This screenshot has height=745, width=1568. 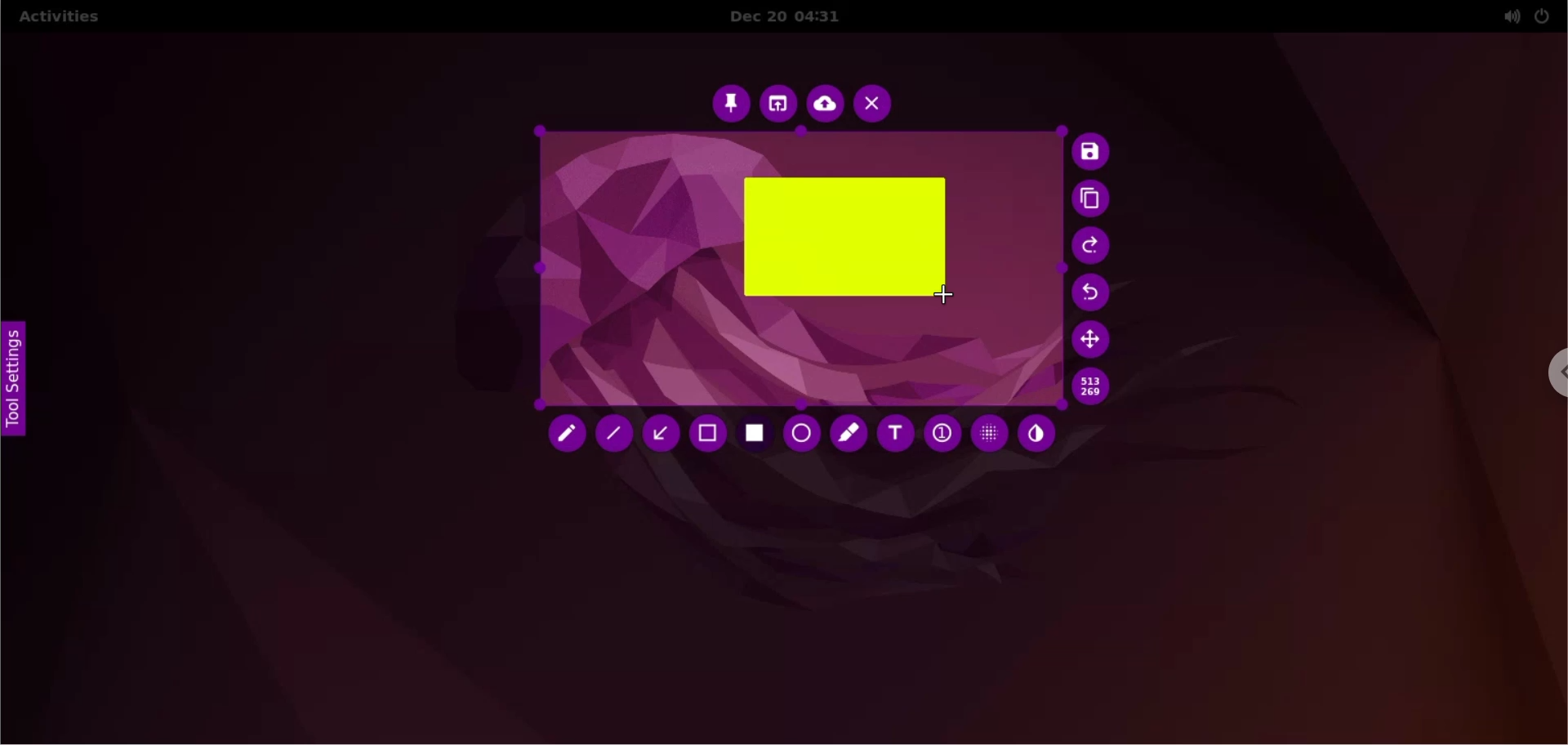 What do you see at coordinates (561, 435) in the screenshot?
I see `pencil tool` at bounding box center [561, 435].